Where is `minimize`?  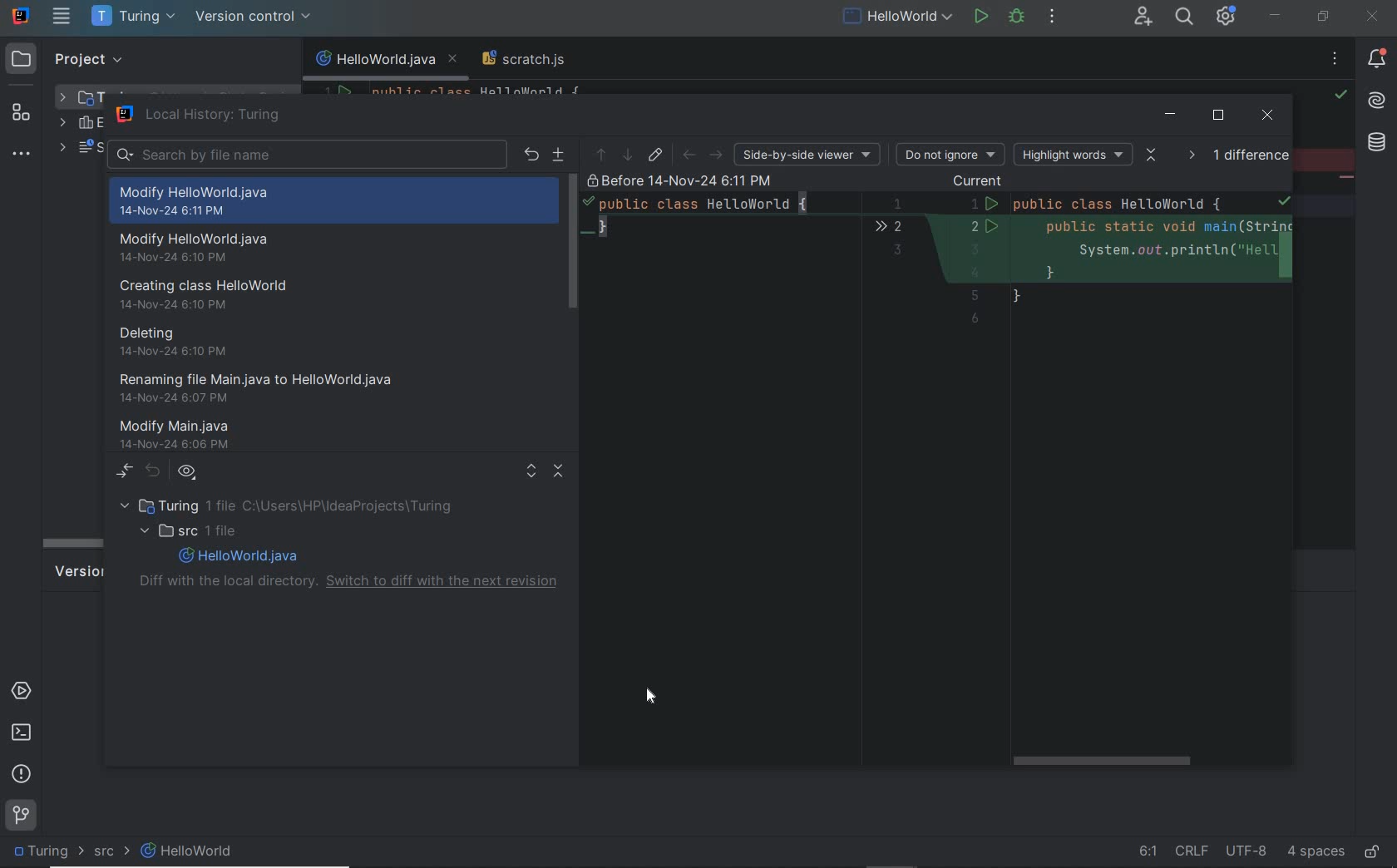 minimize is located at coordinates (1172, 113).